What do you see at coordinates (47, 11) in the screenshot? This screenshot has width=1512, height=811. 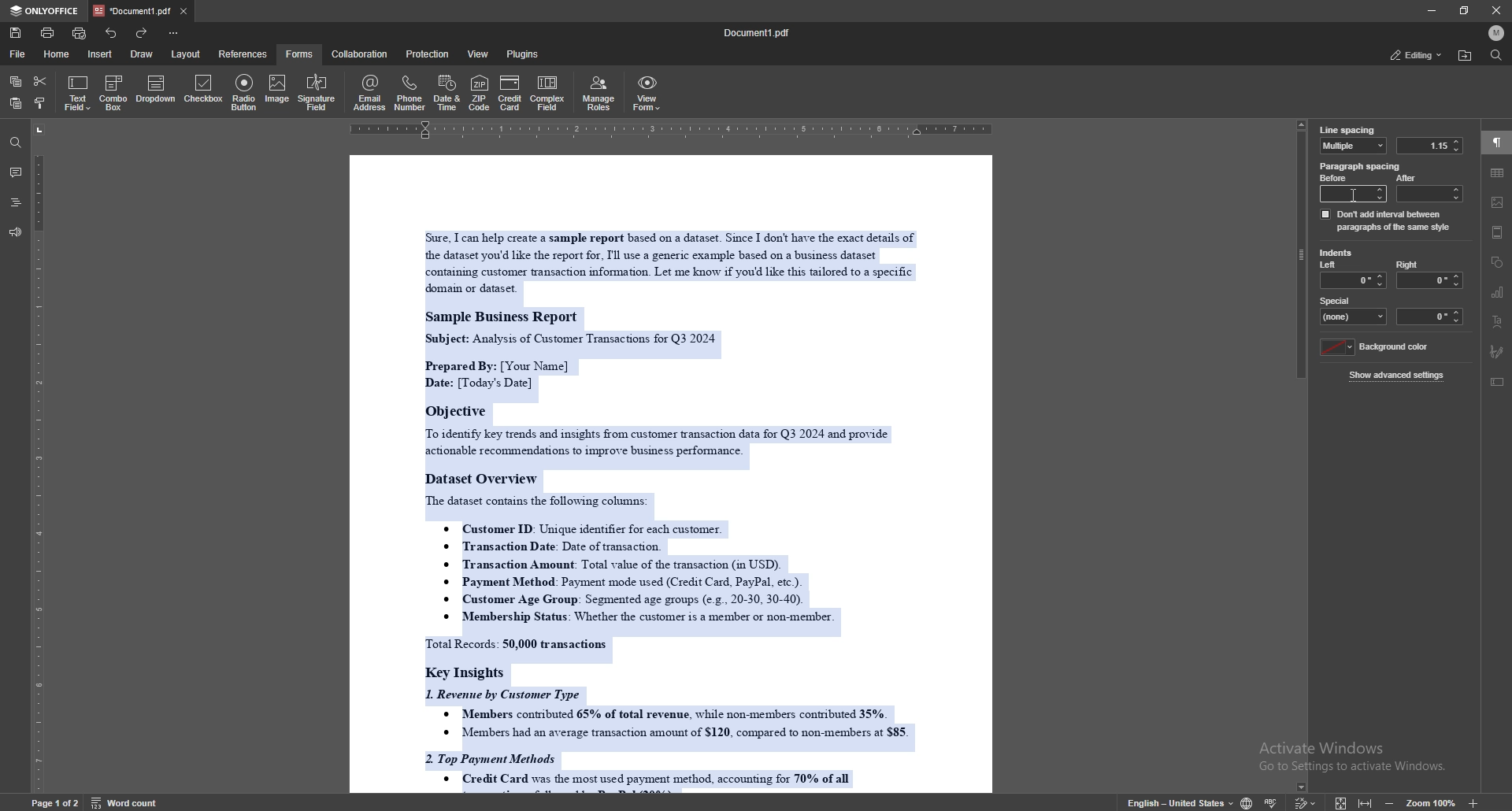 I see `onlyoffice` at bounding box center [47, 11].